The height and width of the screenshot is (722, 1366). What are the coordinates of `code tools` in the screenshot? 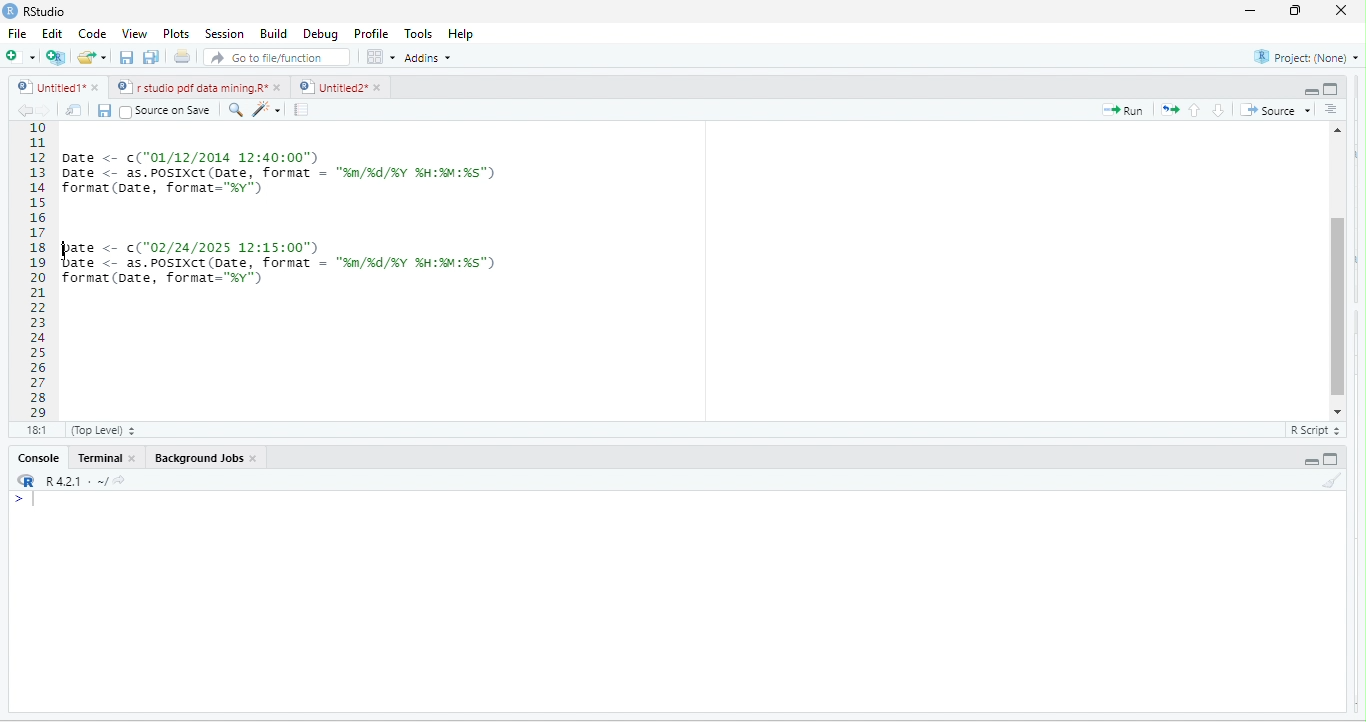 It's located at (268, 110).